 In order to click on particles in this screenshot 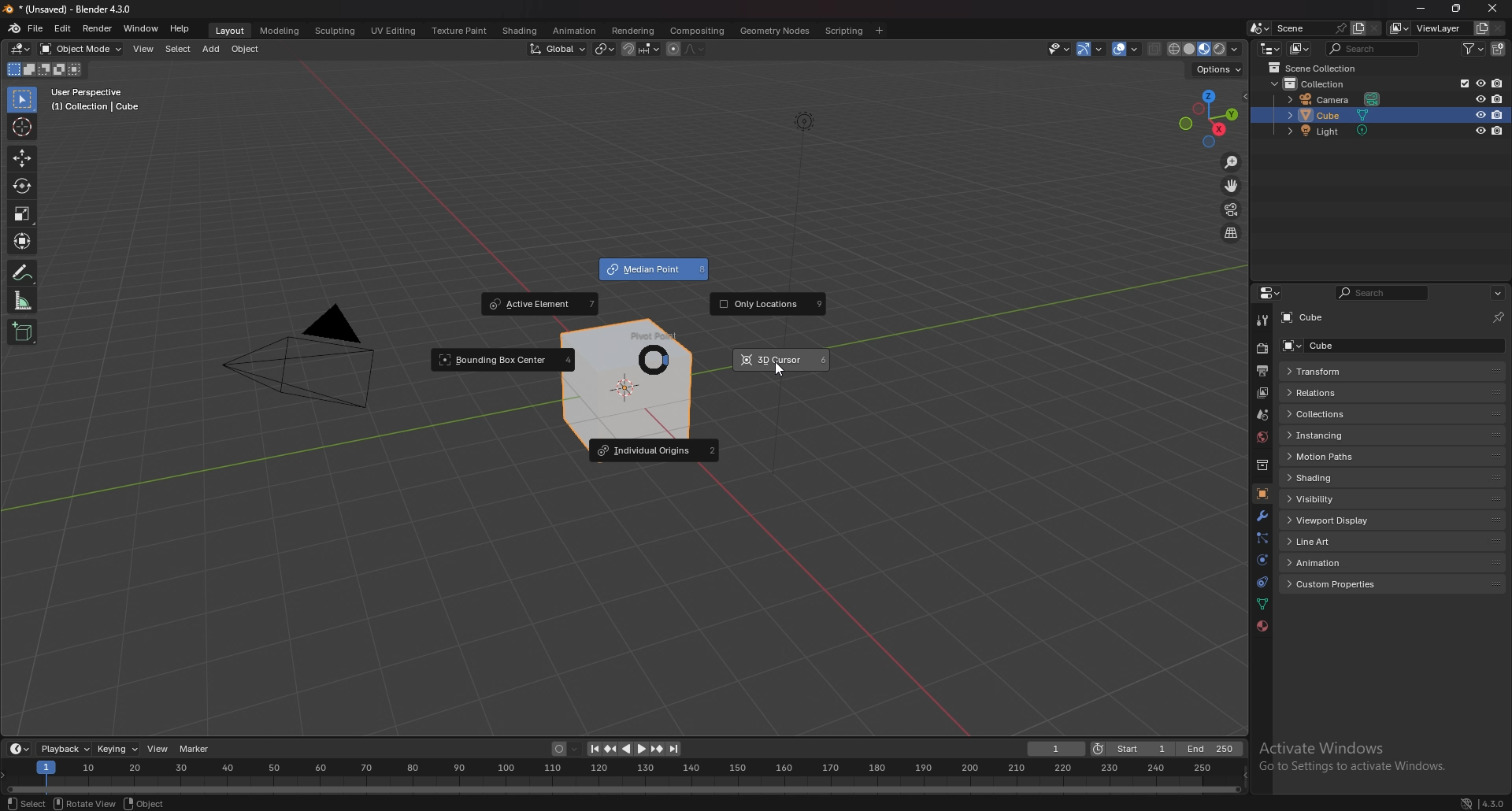, I will do `click(1259, 537)`.